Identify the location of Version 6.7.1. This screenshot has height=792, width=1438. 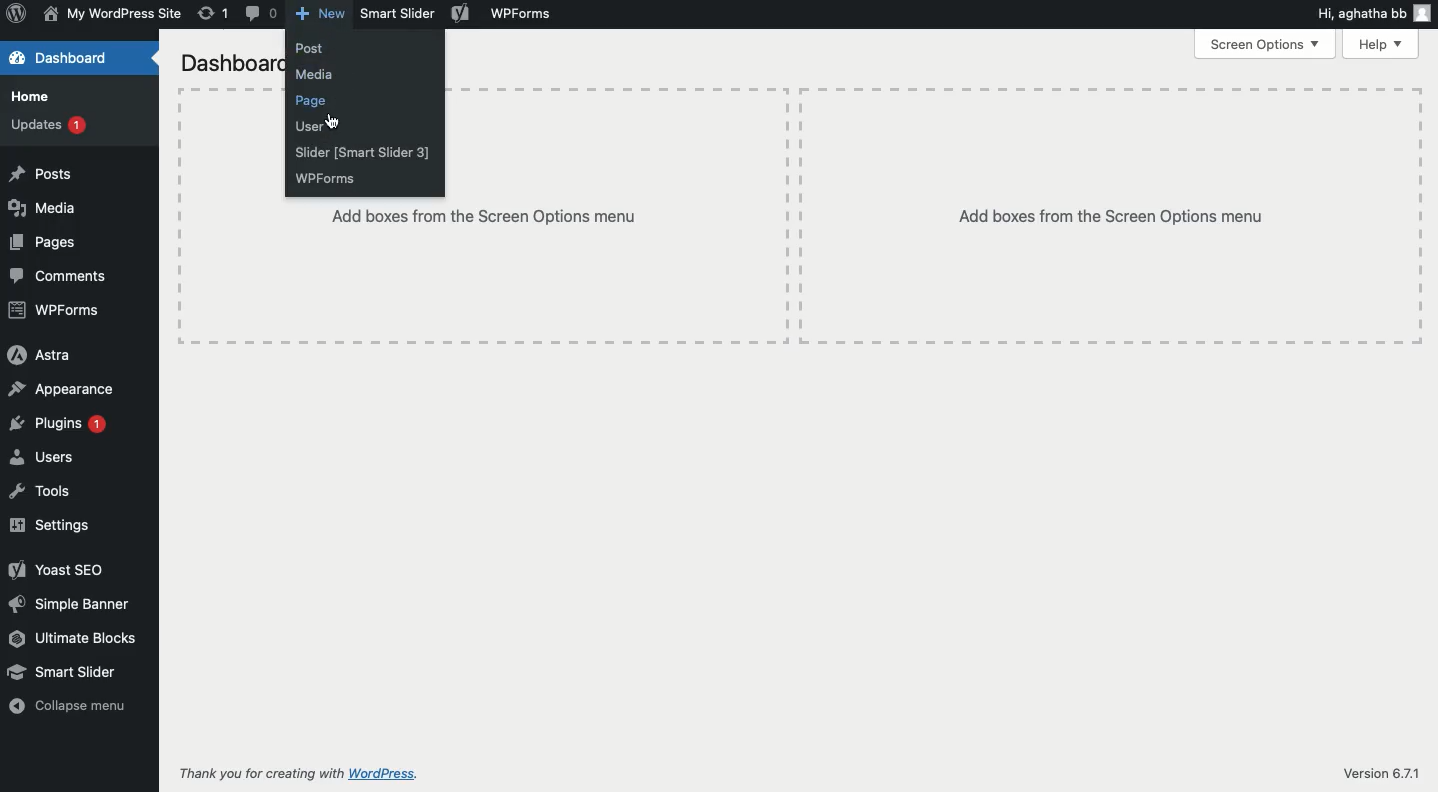
(1381, 773).